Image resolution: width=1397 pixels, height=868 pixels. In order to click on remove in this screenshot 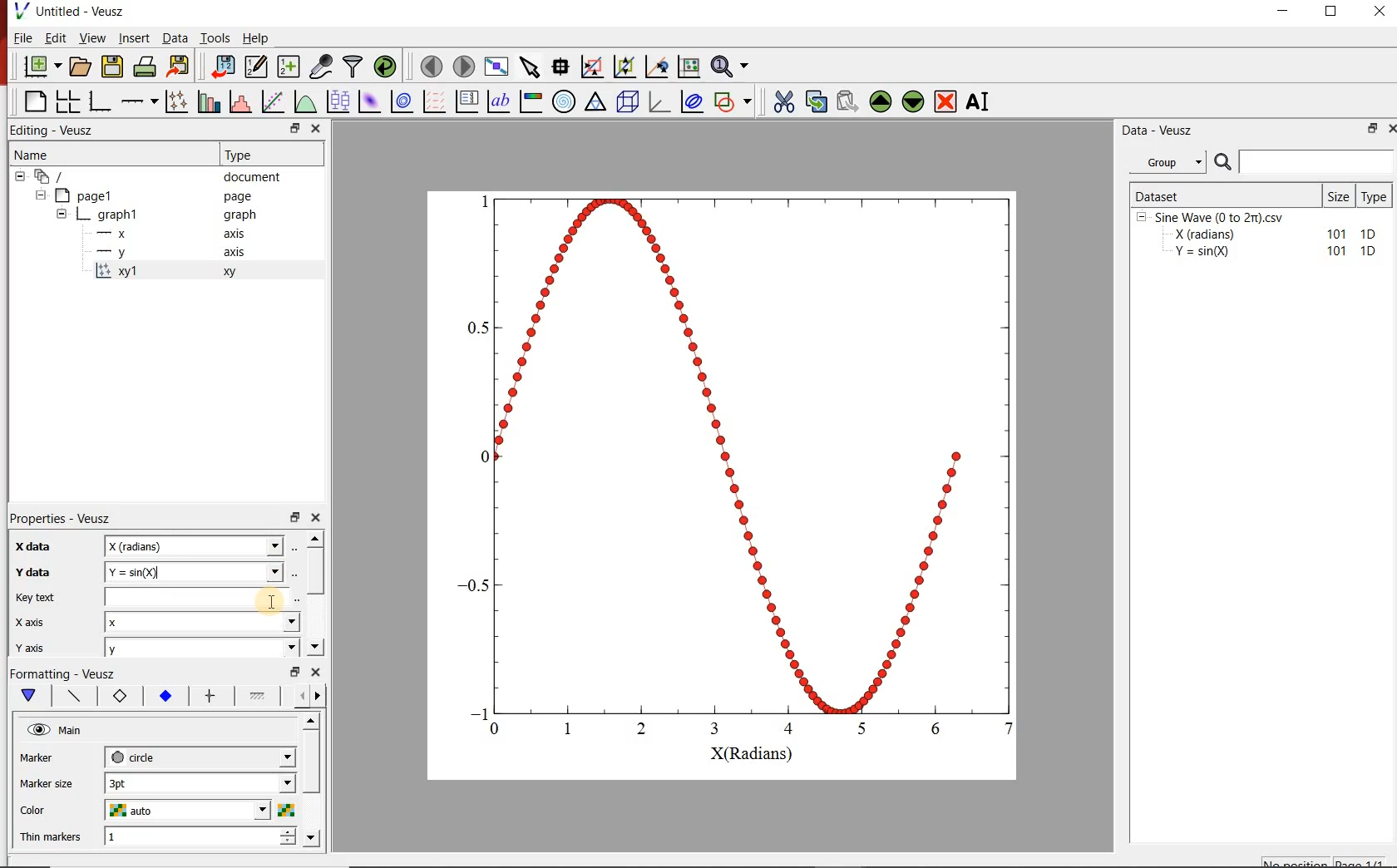, I will do `click(945, 101)`.